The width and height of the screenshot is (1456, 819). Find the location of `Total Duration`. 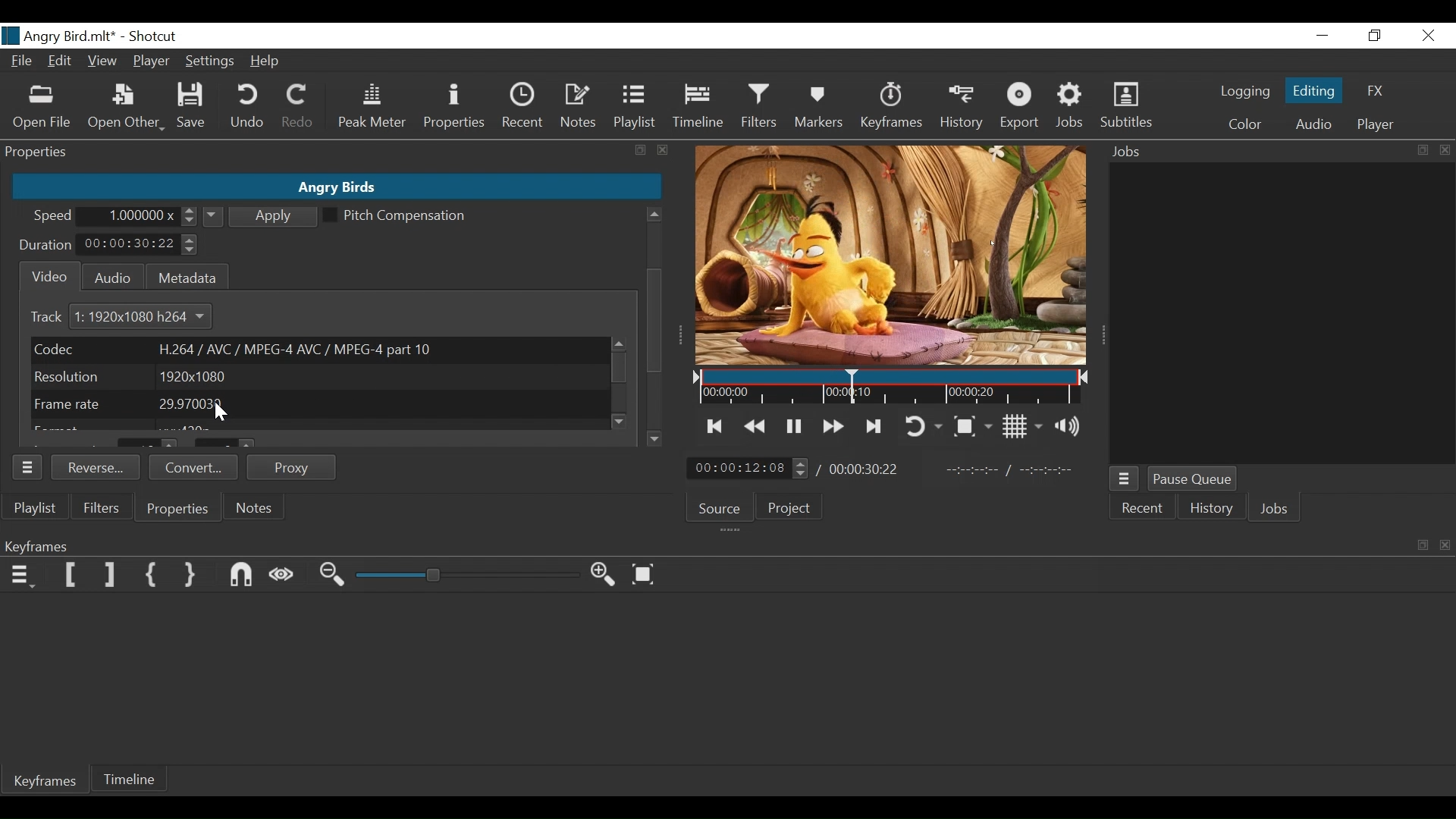

Total Duration is located at coordinates (866, 469).